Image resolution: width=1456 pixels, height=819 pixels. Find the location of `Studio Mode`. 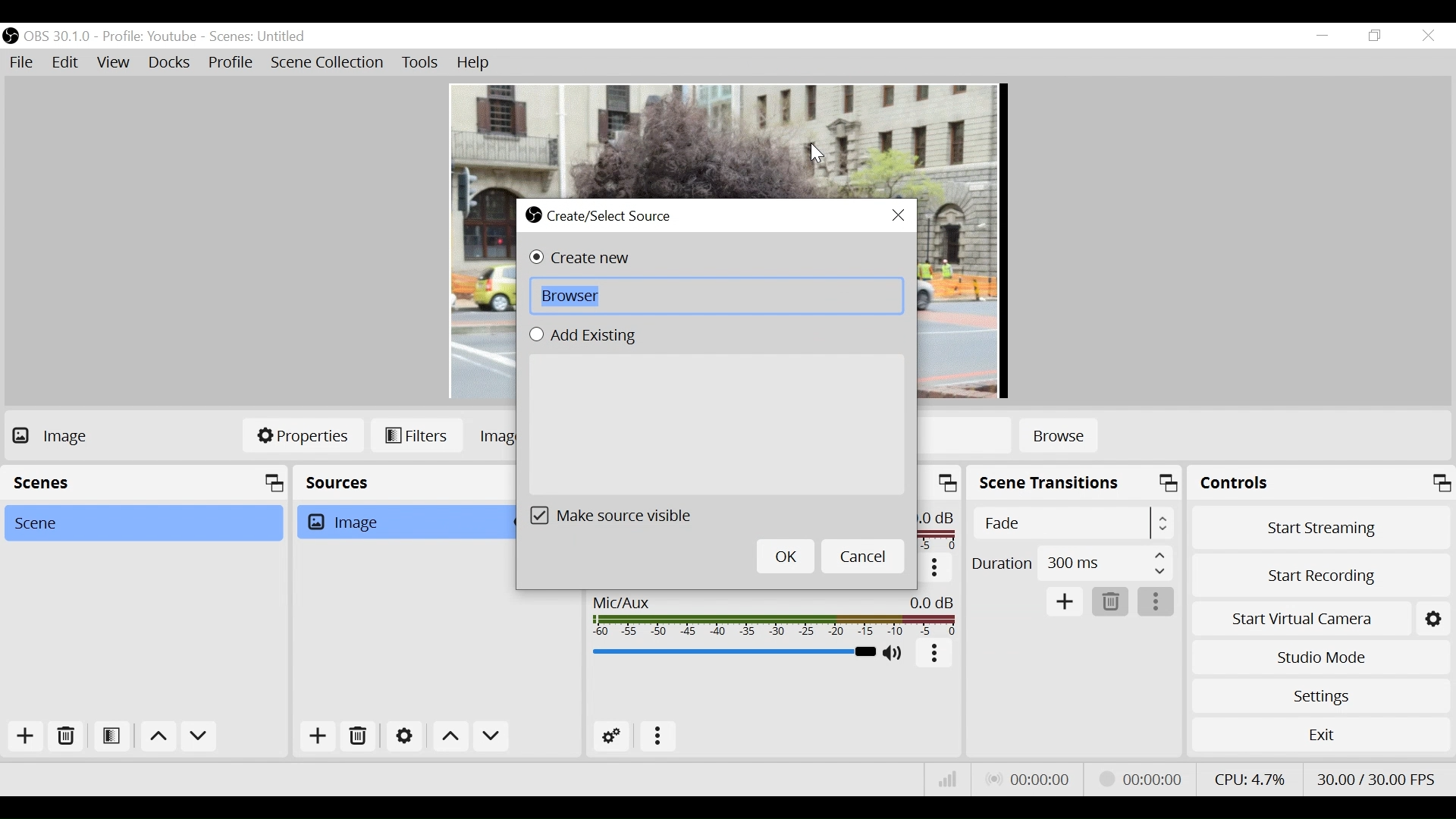

Studio Mode is located at coordinates (1321, 657).